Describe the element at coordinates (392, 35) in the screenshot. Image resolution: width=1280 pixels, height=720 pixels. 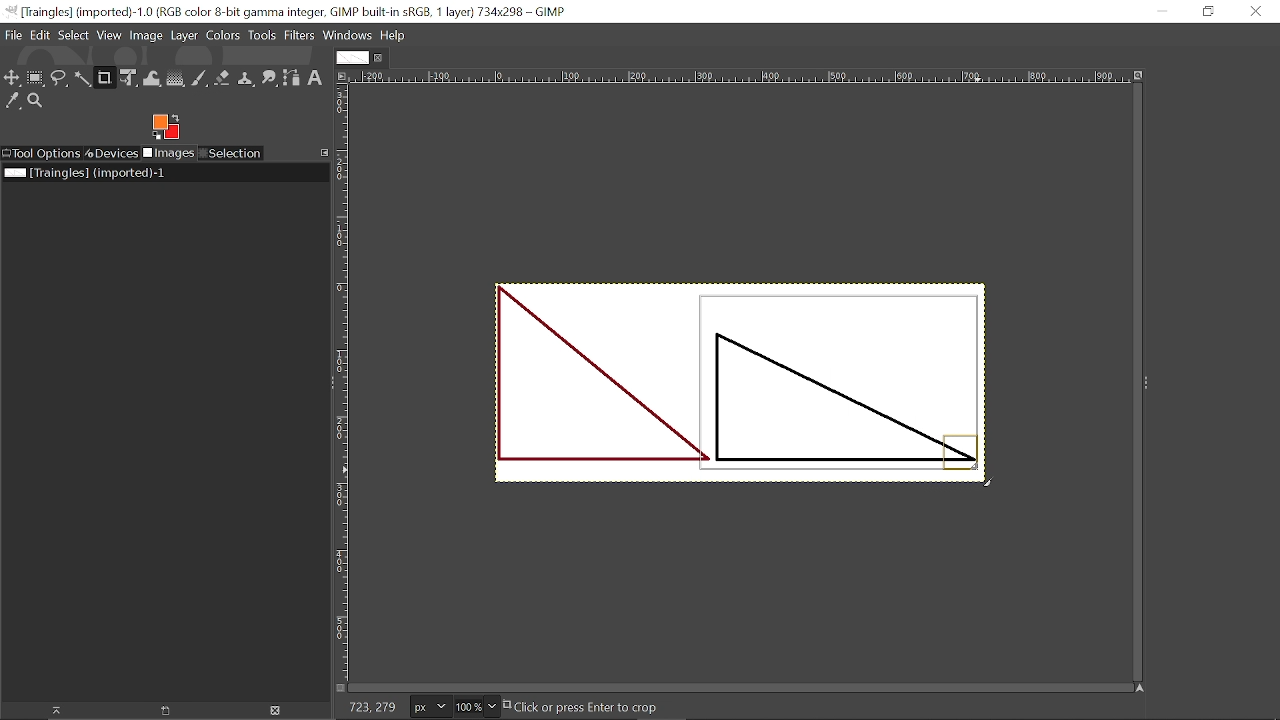
I see `Help` at that location.